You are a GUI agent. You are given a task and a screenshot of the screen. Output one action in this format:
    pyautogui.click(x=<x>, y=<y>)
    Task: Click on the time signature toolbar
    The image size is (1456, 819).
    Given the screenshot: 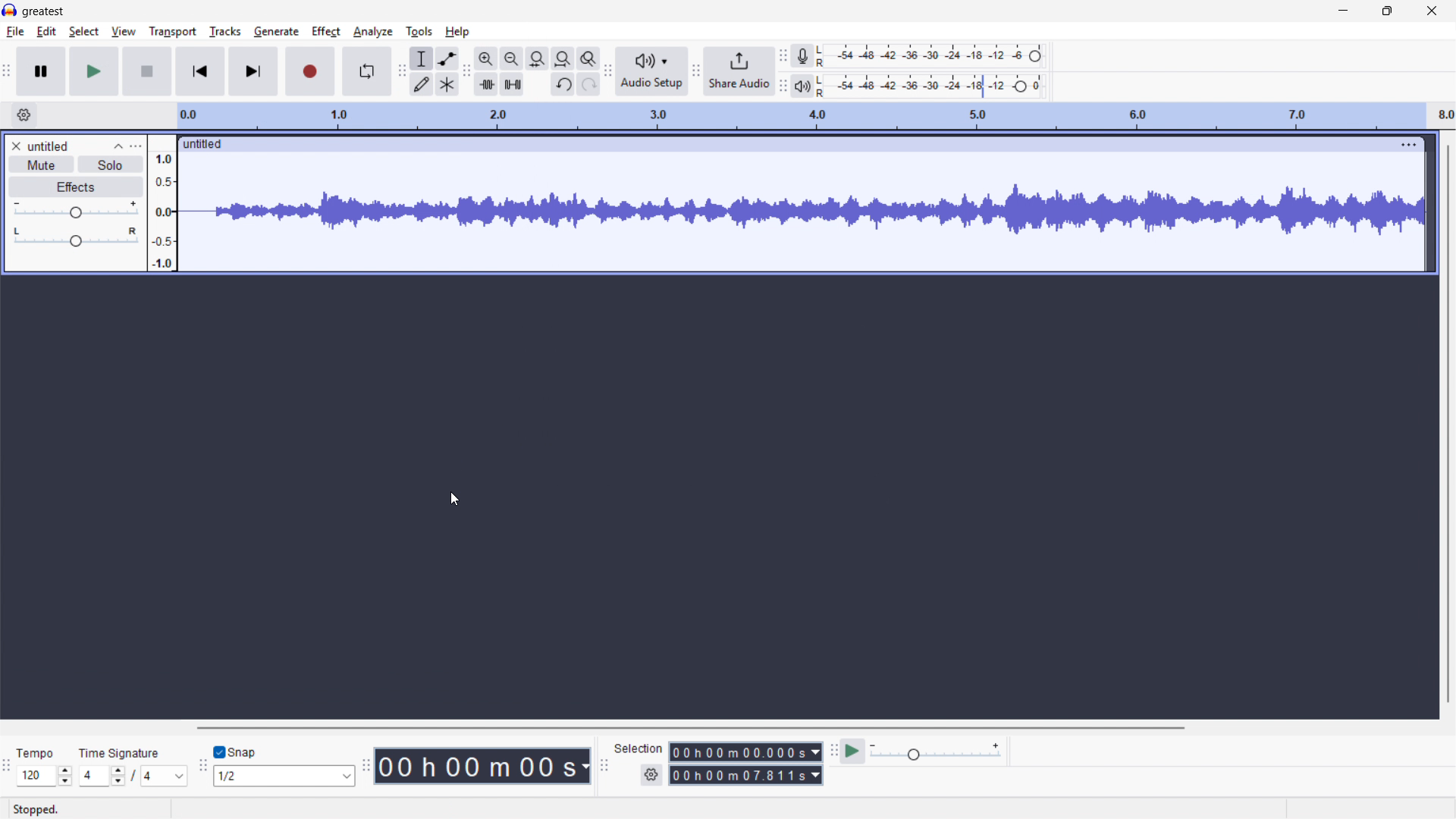 What is the action you would take?
    pyautogui.click(x=6, y=767)
    